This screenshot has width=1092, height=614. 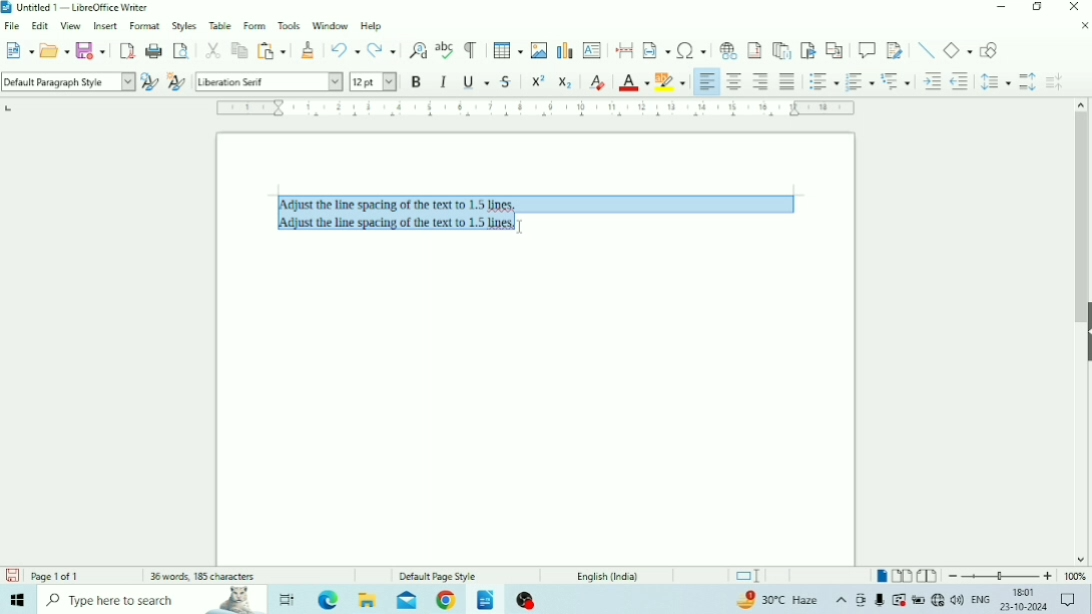 I want to click on Notifications, so click(x=1067, y=598).